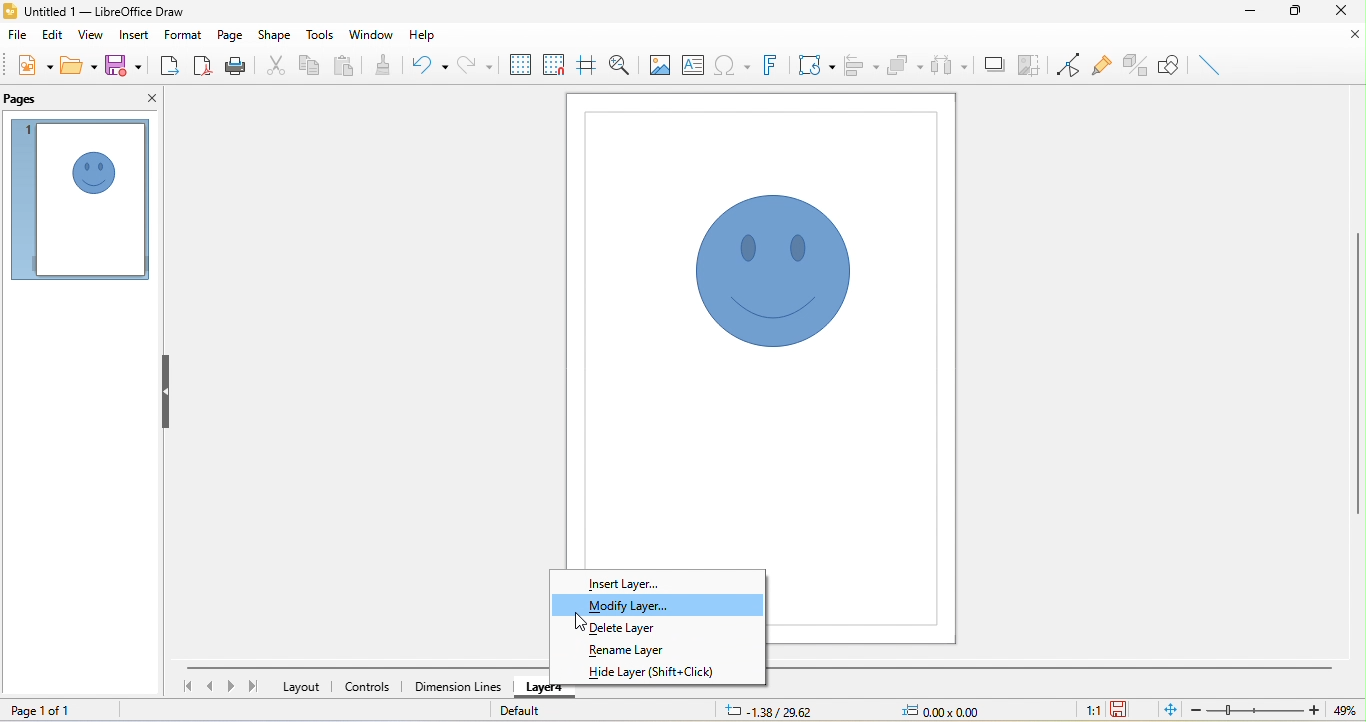 Image resolution: width=1366 pixels, height=722 pixels. What do you see at coordinates (107, 12) in the screenshot?
I see `untitled 1 - LibreOffice Draw` at bounding box center [107, 12].